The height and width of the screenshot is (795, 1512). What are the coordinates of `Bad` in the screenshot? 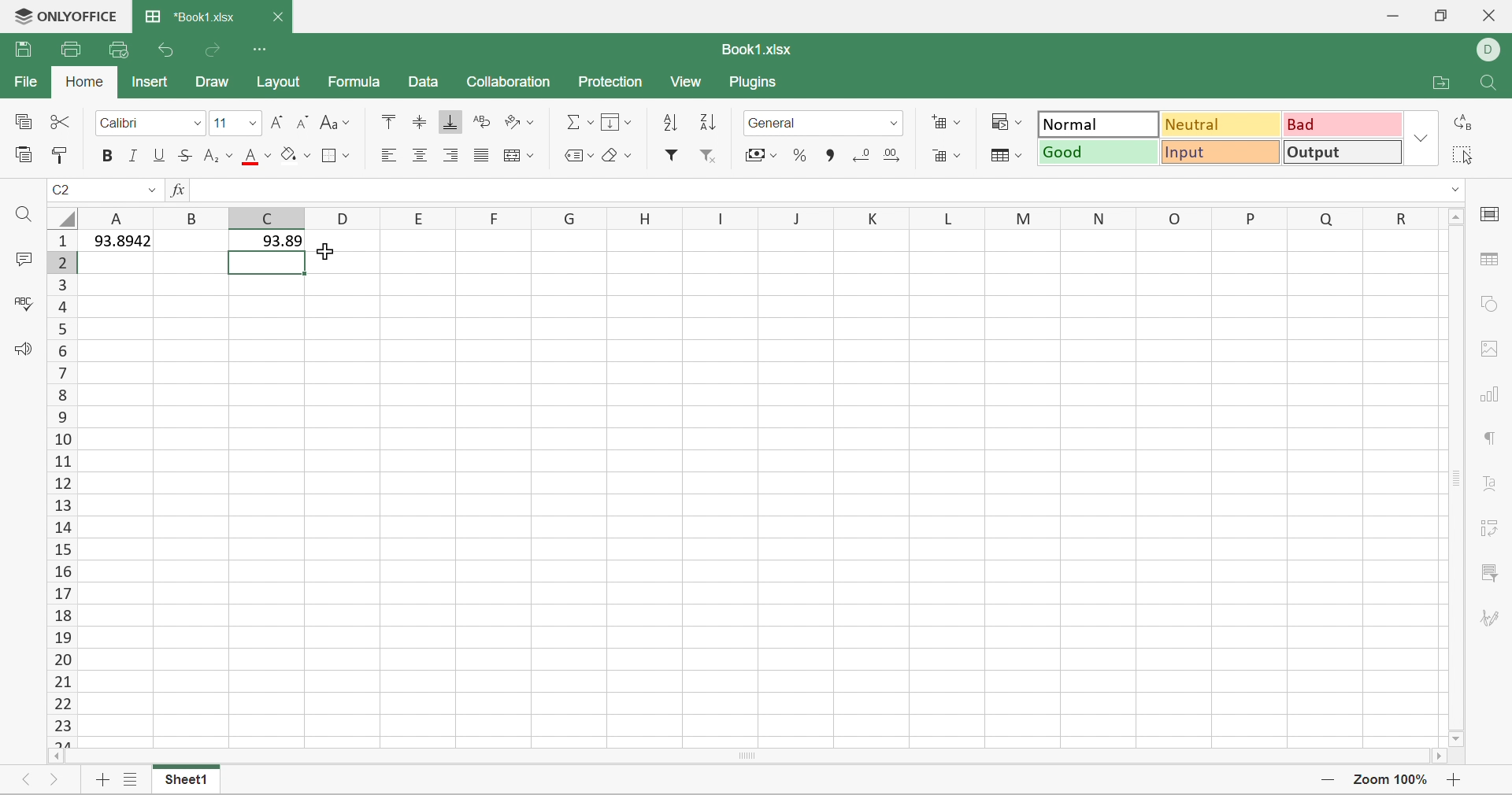 It's located at (1344, 123).